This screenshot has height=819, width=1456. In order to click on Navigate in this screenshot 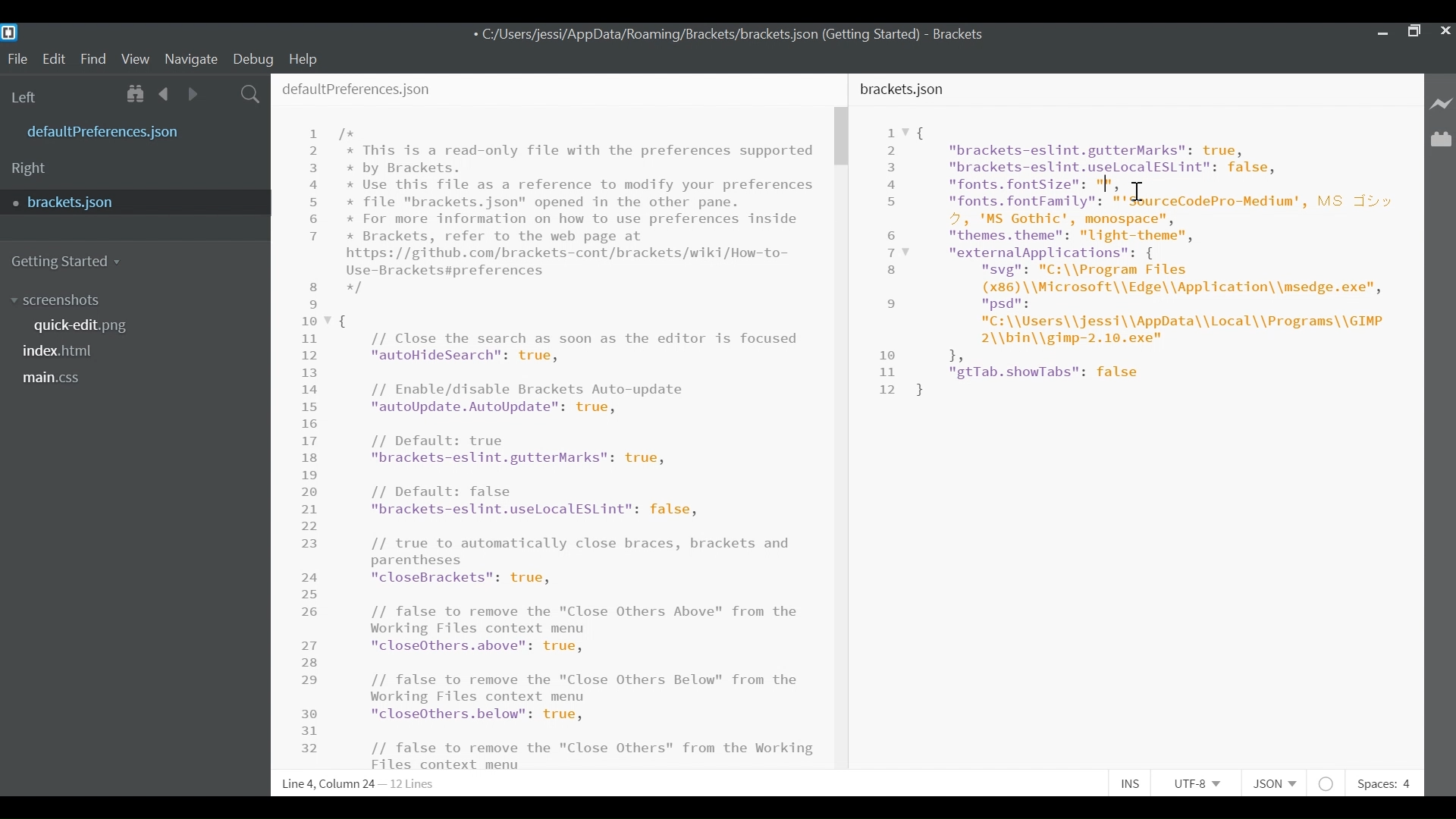, I will do `click(193, 58)`.